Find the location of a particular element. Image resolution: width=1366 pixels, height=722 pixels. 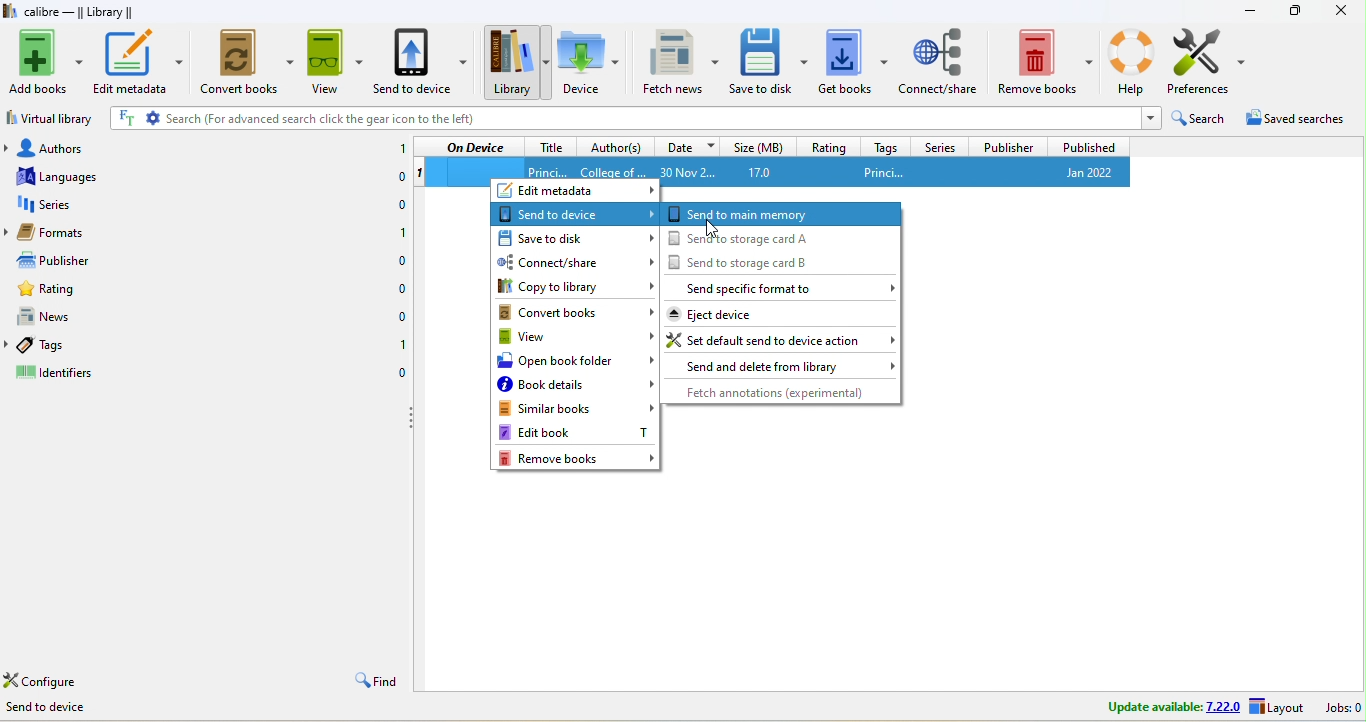

open book folder is located at coordinates (575, 362).